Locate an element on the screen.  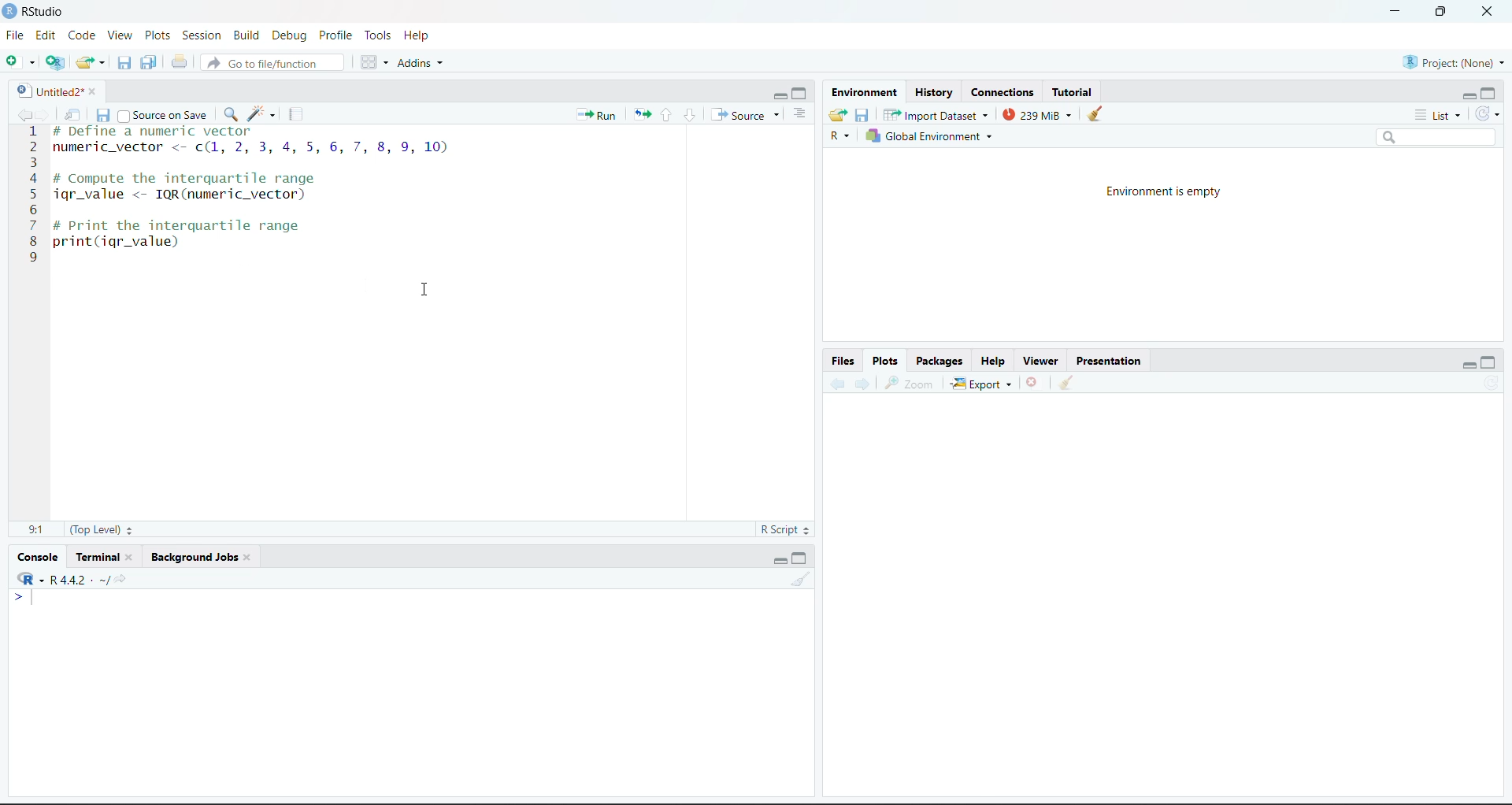
R Script is located at coordinates (785, 530).